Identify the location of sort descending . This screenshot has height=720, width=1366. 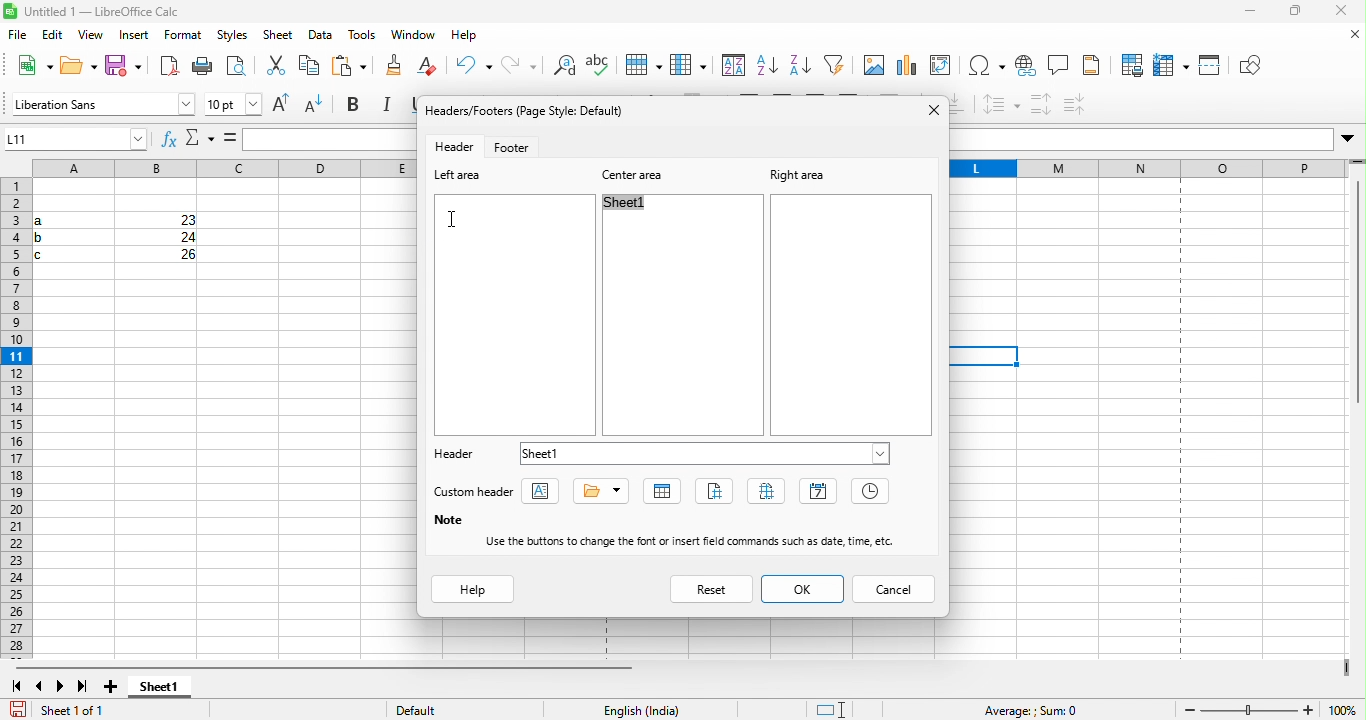
(767, 65).